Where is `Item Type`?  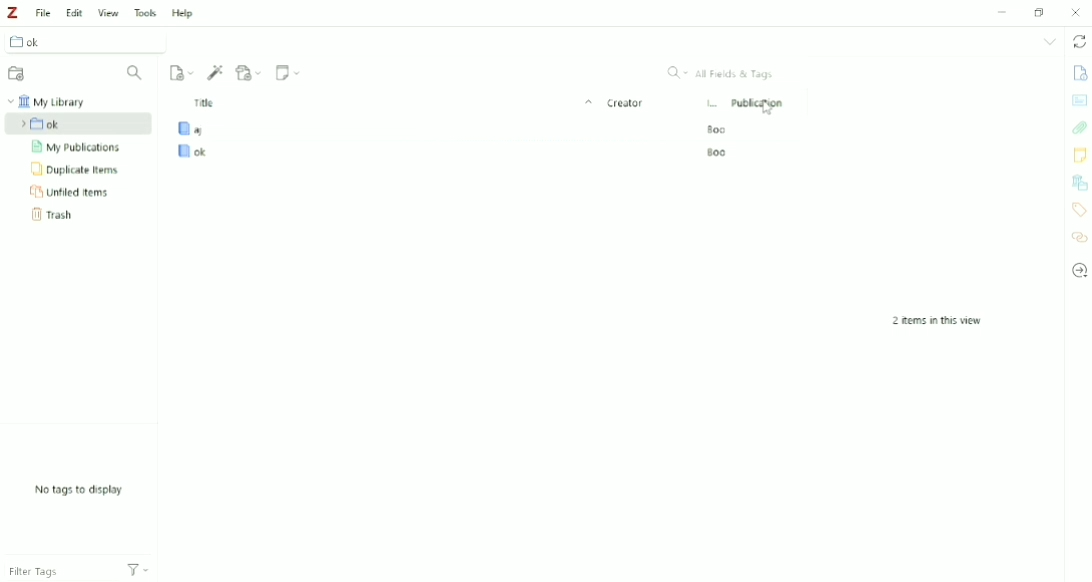
Item Type is located at coordinates (710, 105).